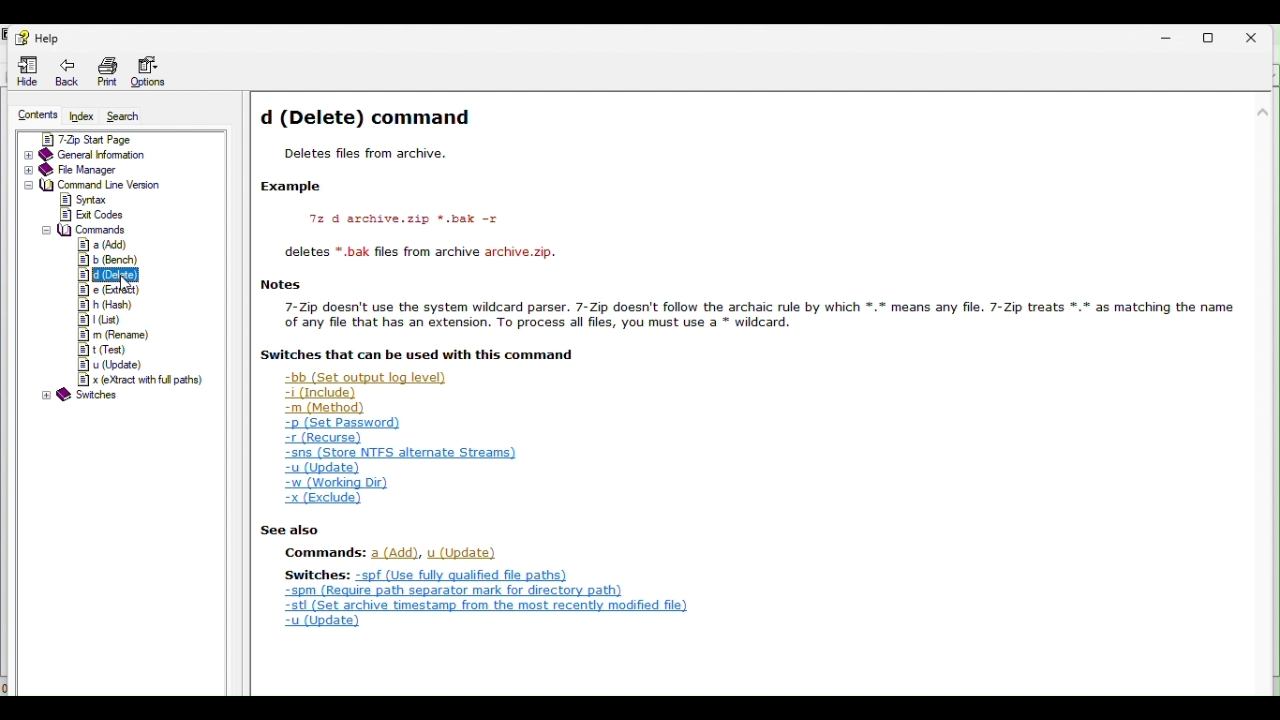 The image size is (1280, 720). I want to click on Commands, so click(316, 552).